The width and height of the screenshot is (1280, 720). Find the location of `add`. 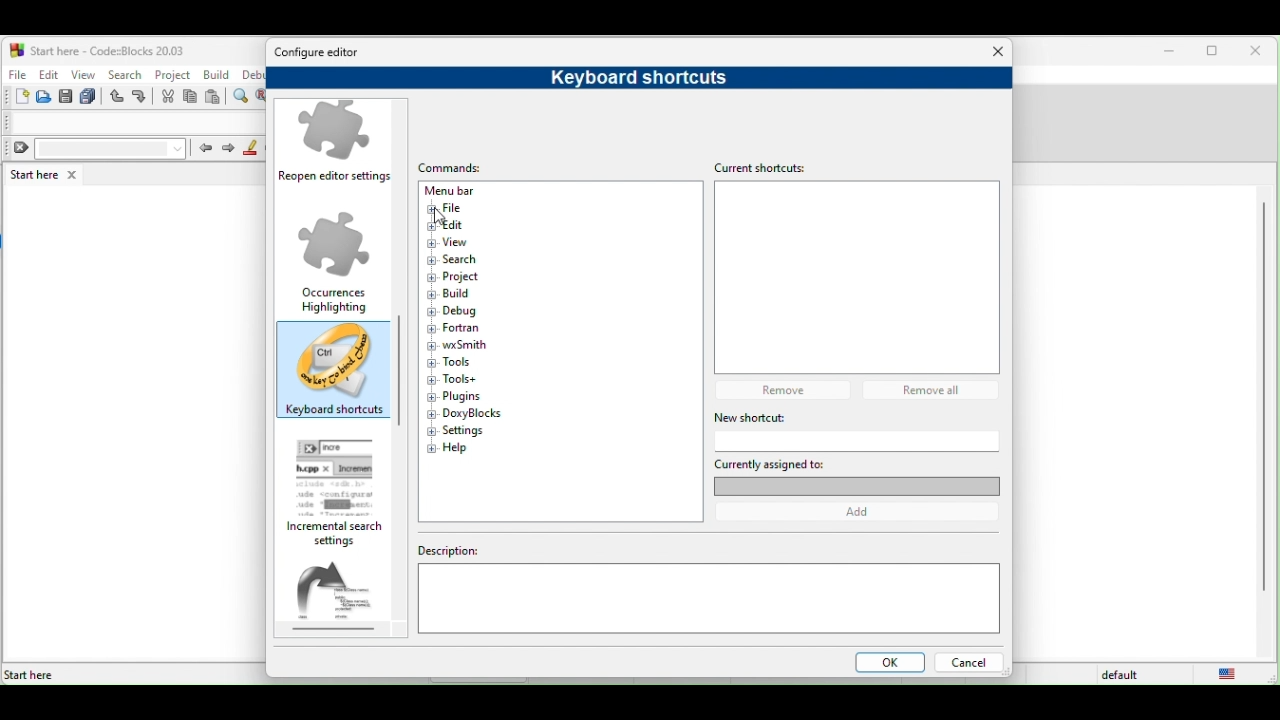

add is located at coordinates (864, 512).